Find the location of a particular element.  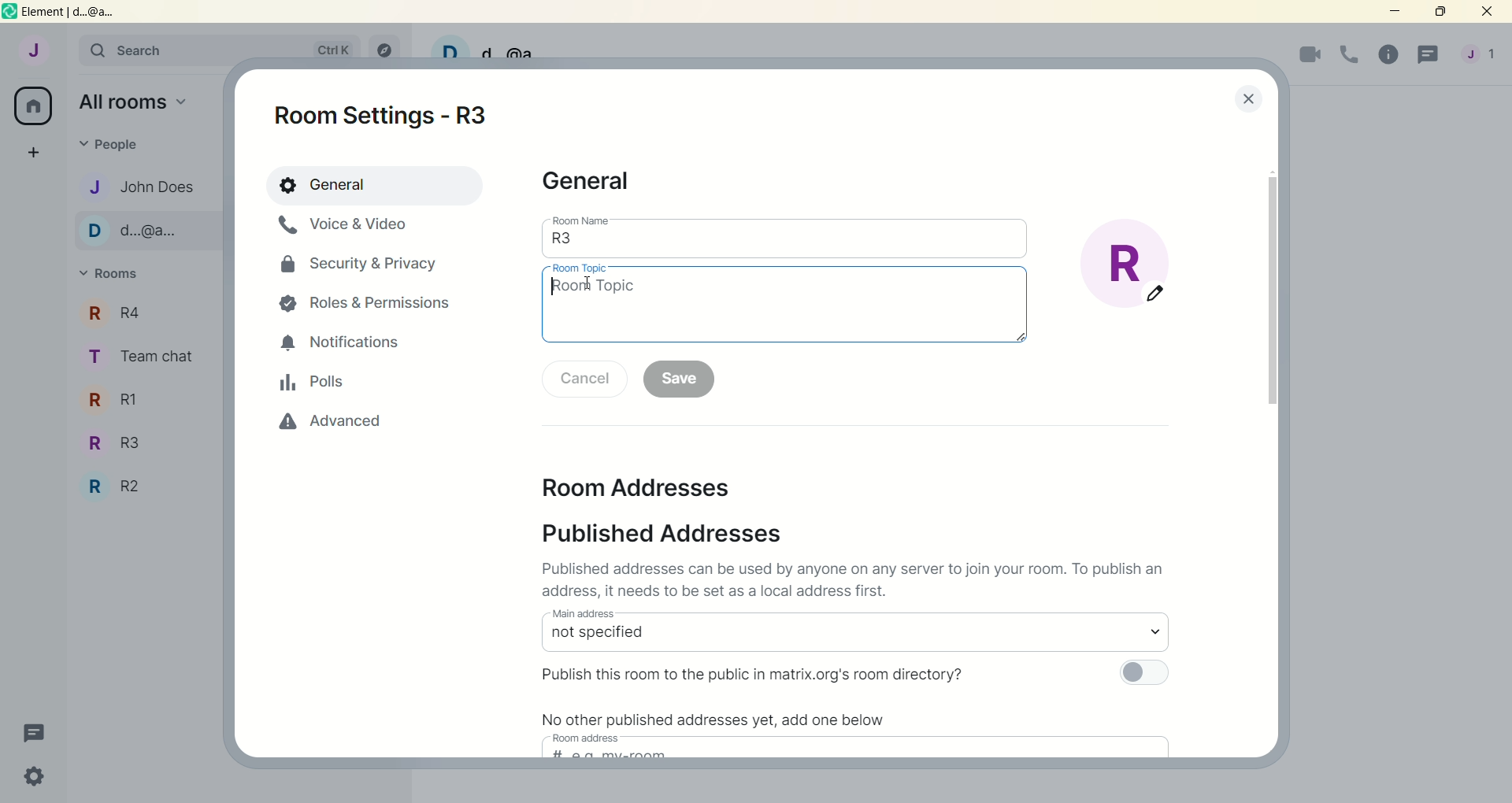

threads is located at coordinates (39, 734).